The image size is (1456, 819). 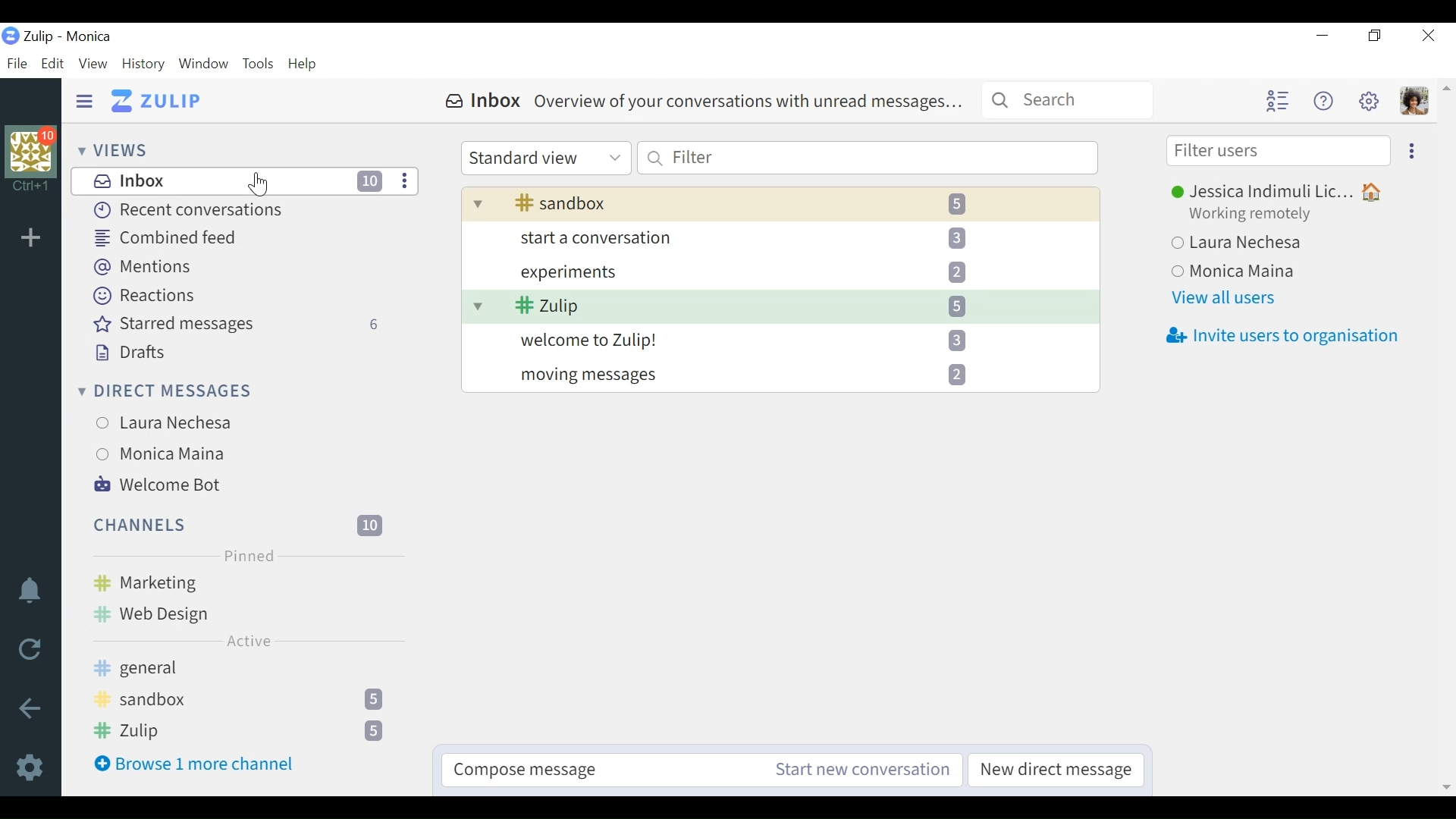 I want to click on Pinned, so click(x=249, y=556).